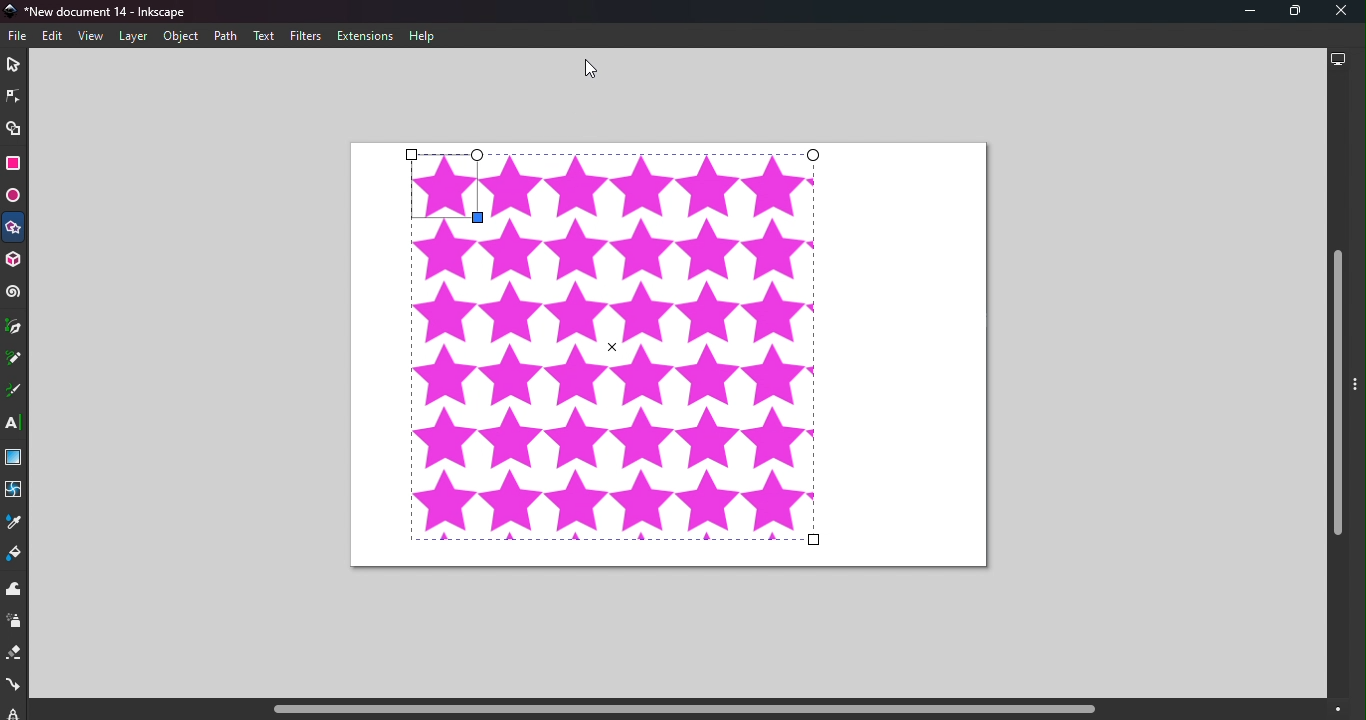  What do you see at coordinates (132, 37) in the screenshot?
I see `Layers` at bounding box center [132, 37].